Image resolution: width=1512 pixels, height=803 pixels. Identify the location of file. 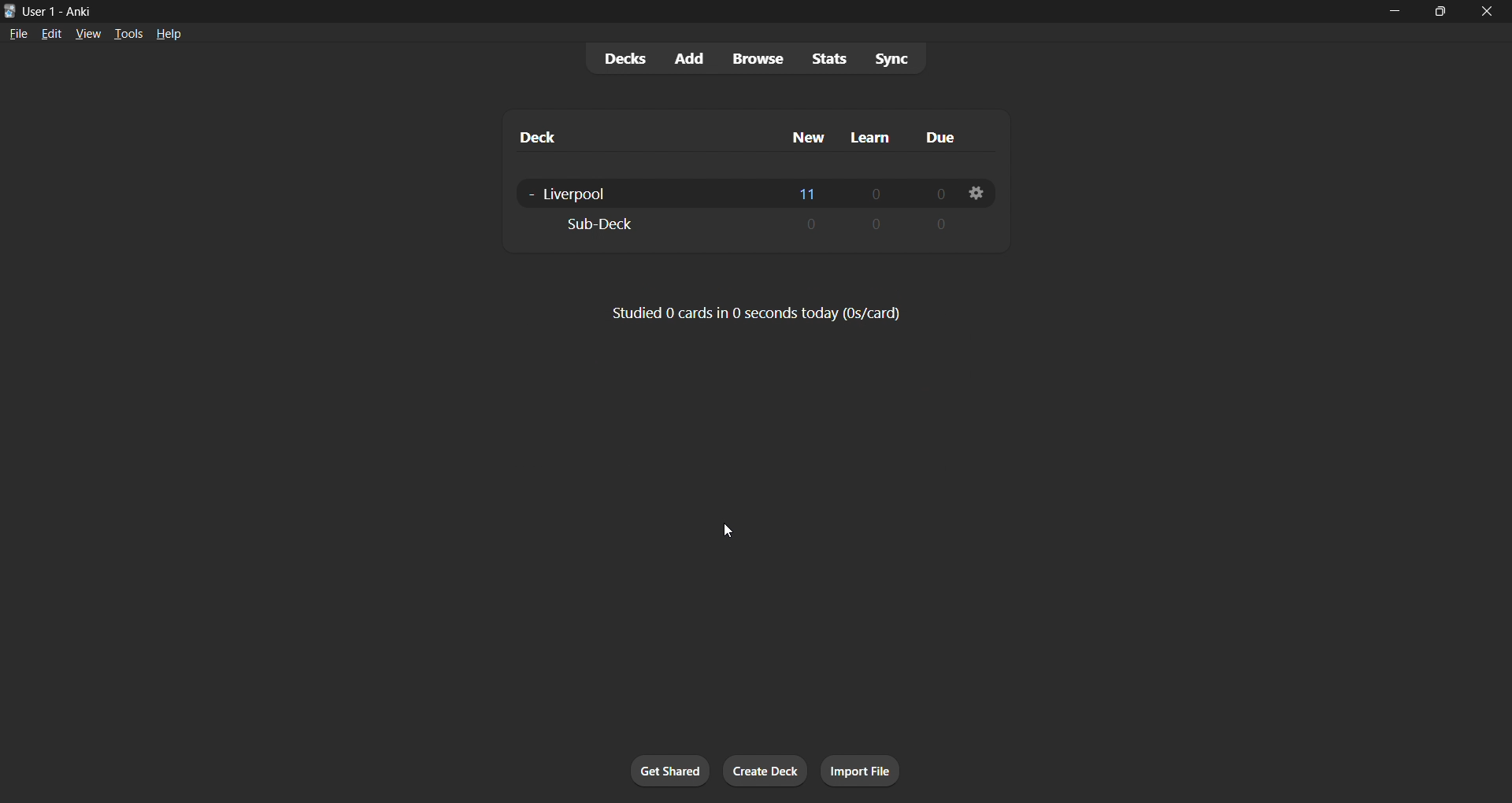
(17, 33).